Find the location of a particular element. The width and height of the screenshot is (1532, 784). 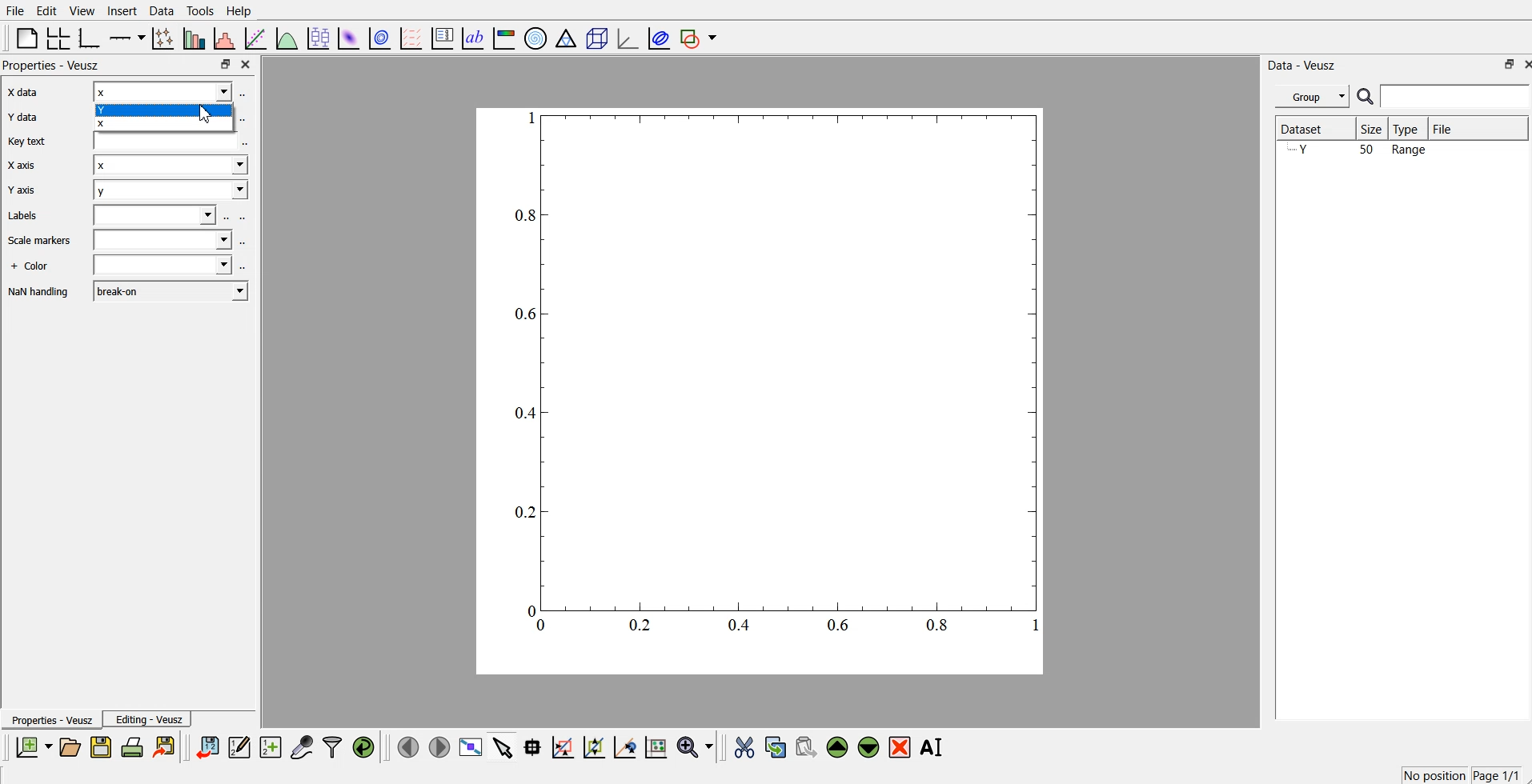

minimise is located at coordinates (1504, 64).